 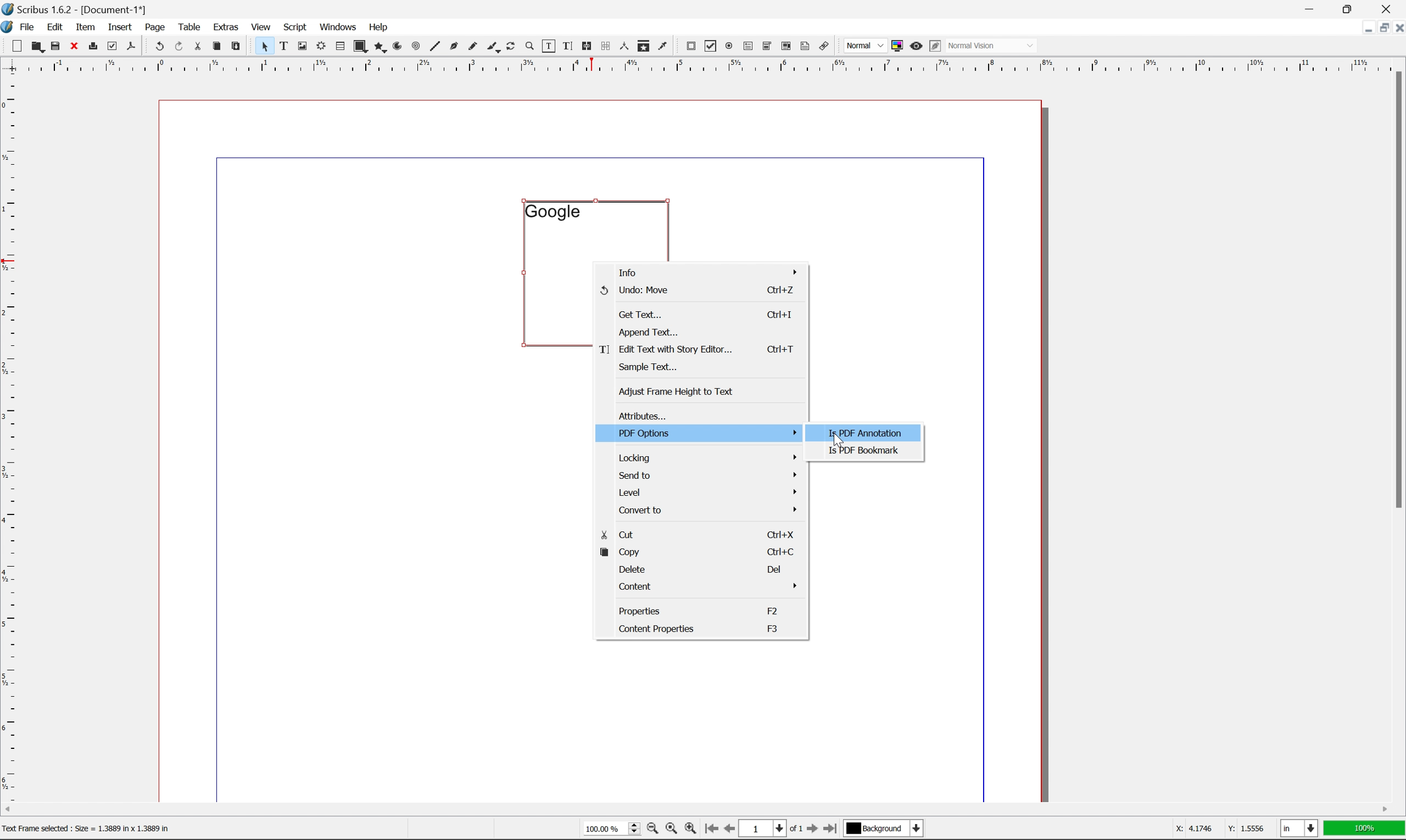 What do you see at coordinates (644, 46) in the screenshot?
I see `copy item properties` at bounding box center [644, 46].